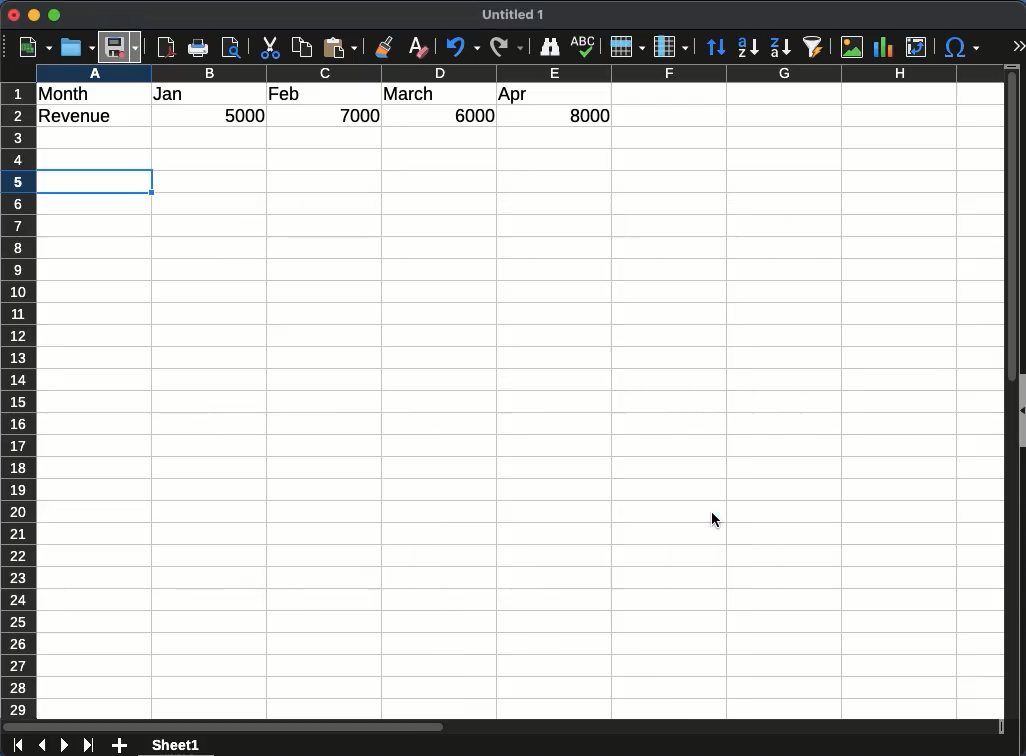 The image size is (1026, 756). Describe the element at coordinates (33, 47) in the screenshot. I see `new` at that location.